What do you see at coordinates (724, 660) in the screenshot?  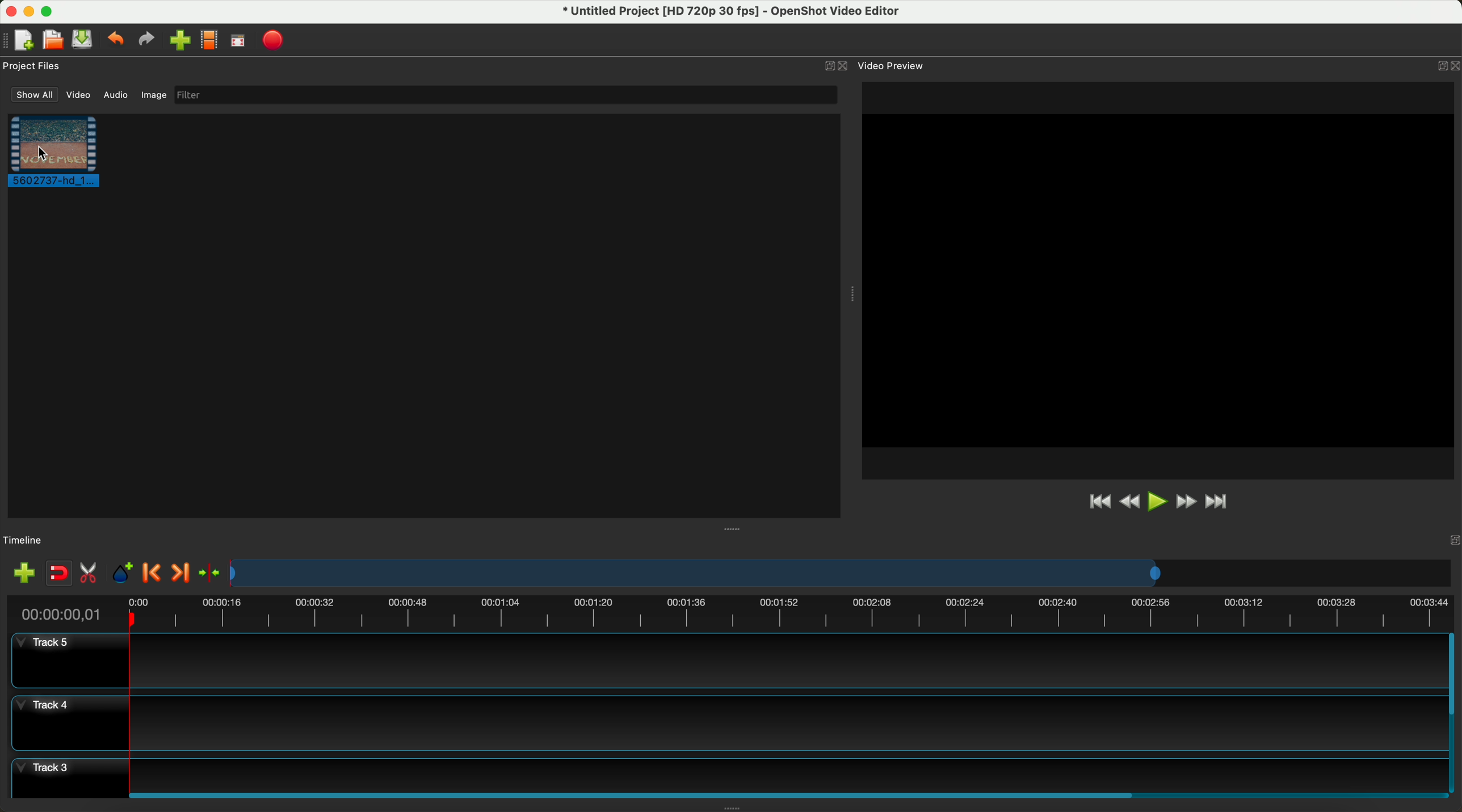 I see `track 5` at bounding box center [724, 660].